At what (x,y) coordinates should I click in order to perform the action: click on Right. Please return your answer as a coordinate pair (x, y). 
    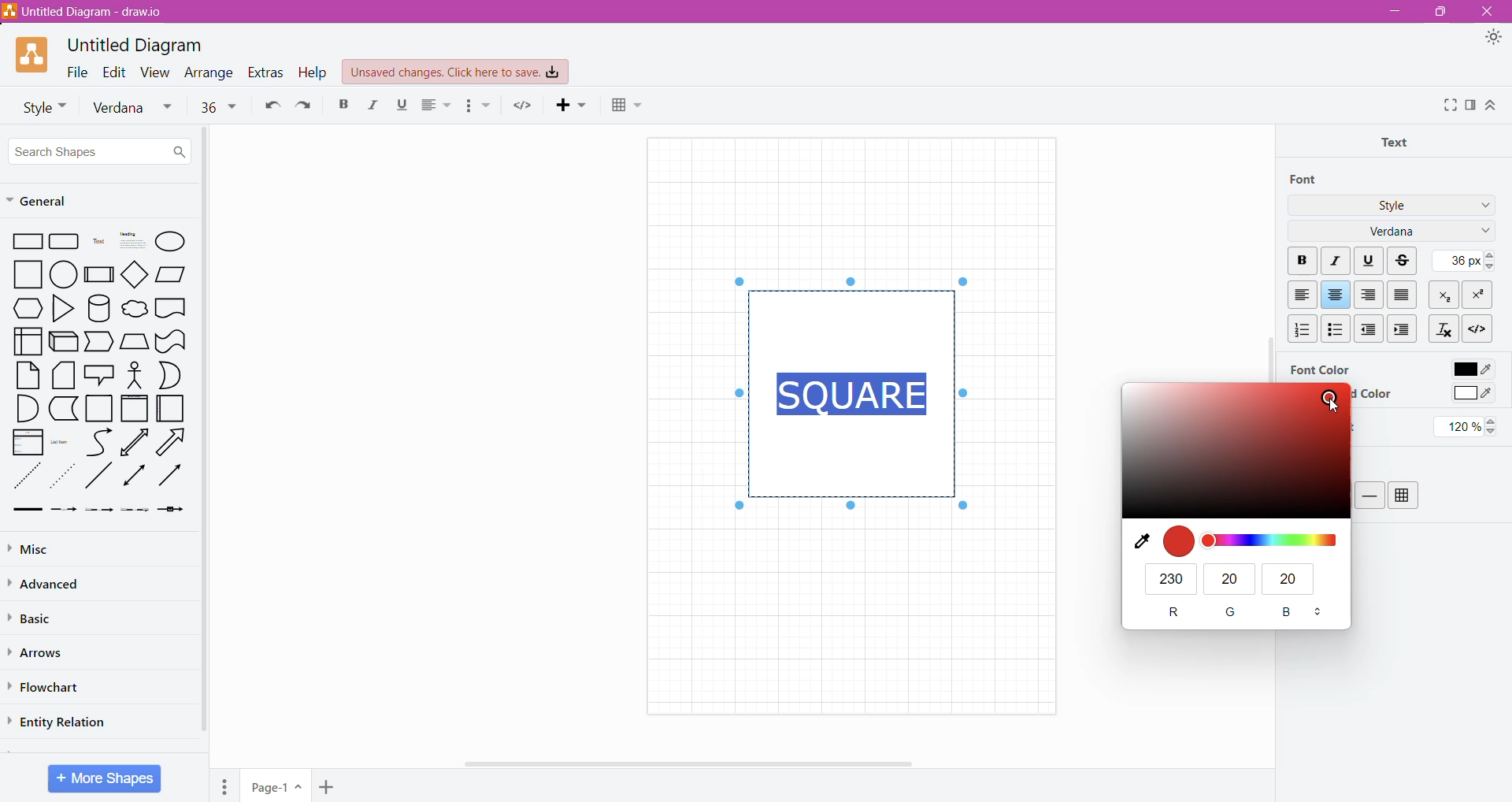
    Looking at the image, I should click on (1370, 295).